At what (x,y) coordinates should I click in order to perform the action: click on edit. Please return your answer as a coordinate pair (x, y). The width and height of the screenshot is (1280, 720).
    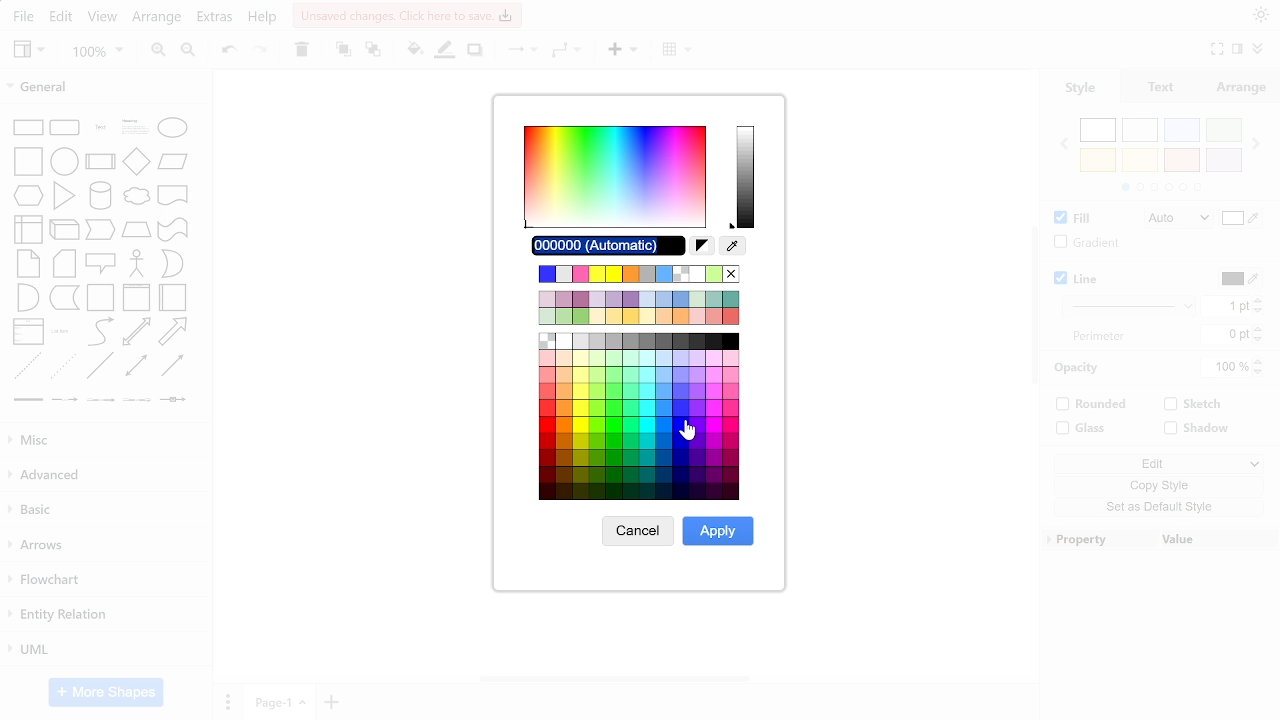
    Looking at the image, I should click on (1156, 462).